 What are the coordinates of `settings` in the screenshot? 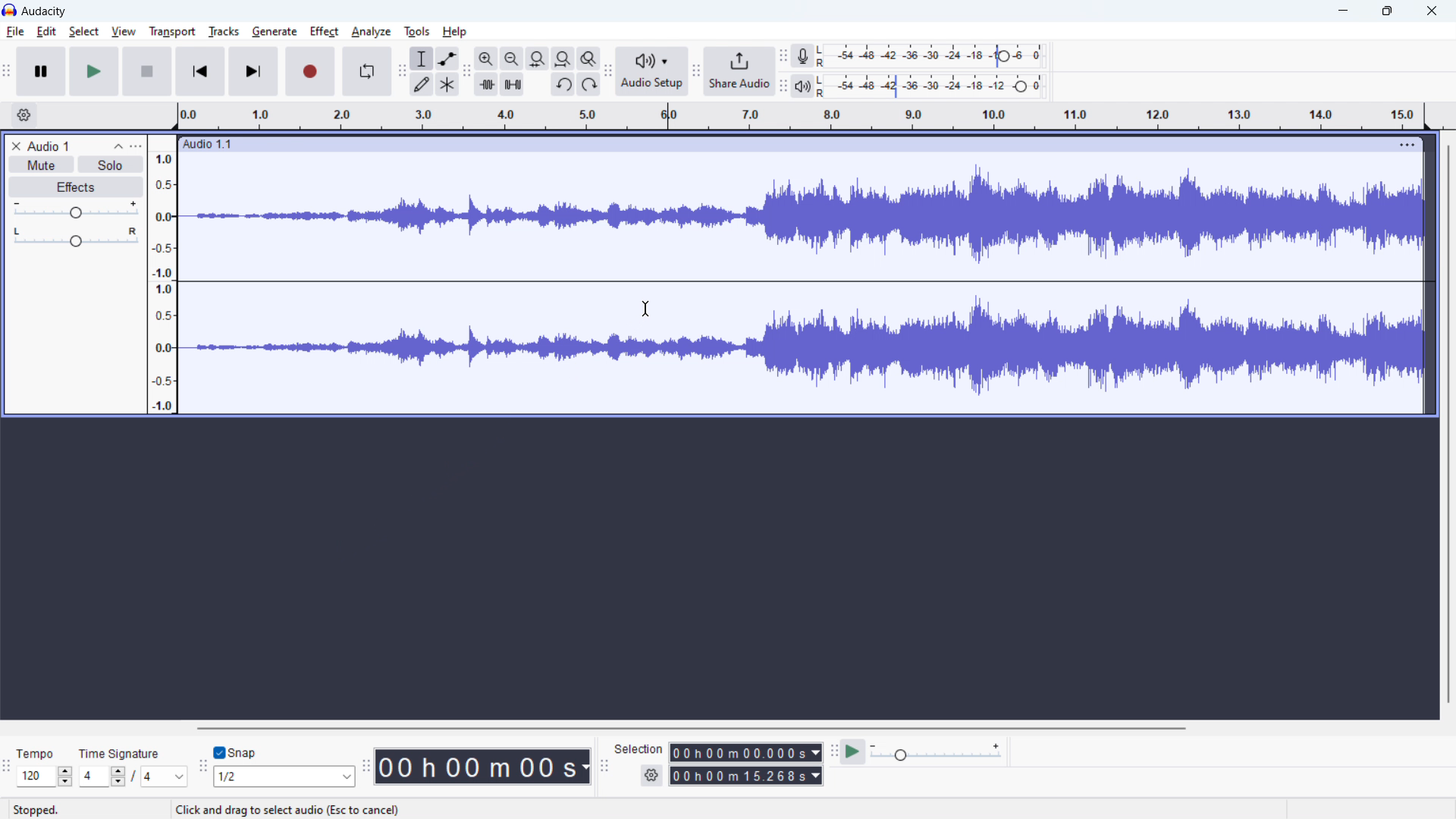 It's located at (651, 776).